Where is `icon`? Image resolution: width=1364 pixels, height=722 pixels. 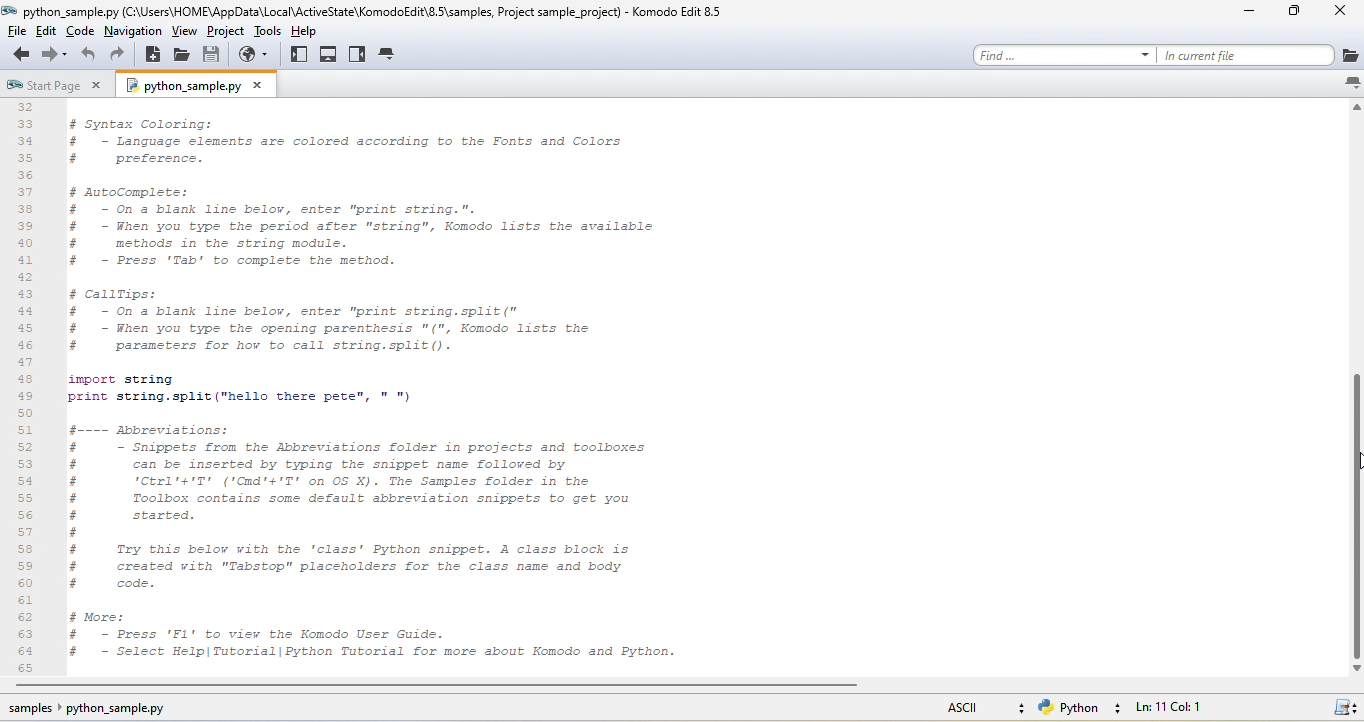
icon is located at coordinates (1344, 709).